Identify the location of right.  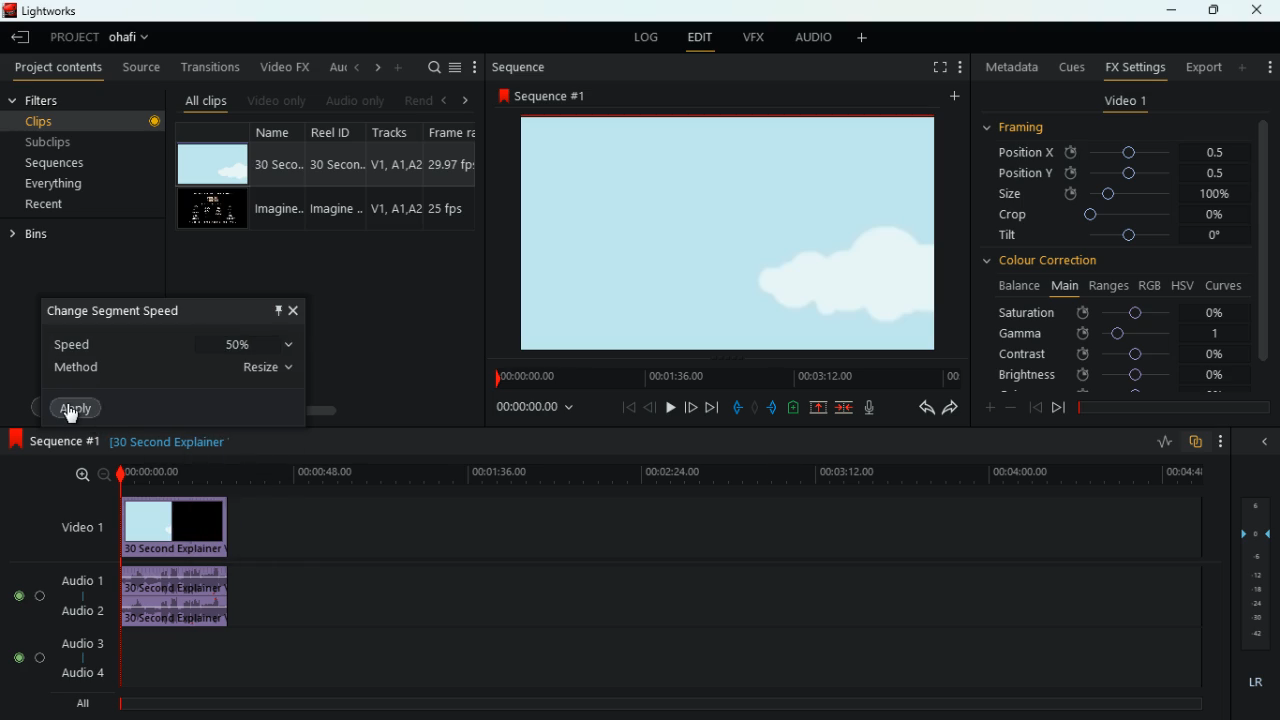
(374, 67).